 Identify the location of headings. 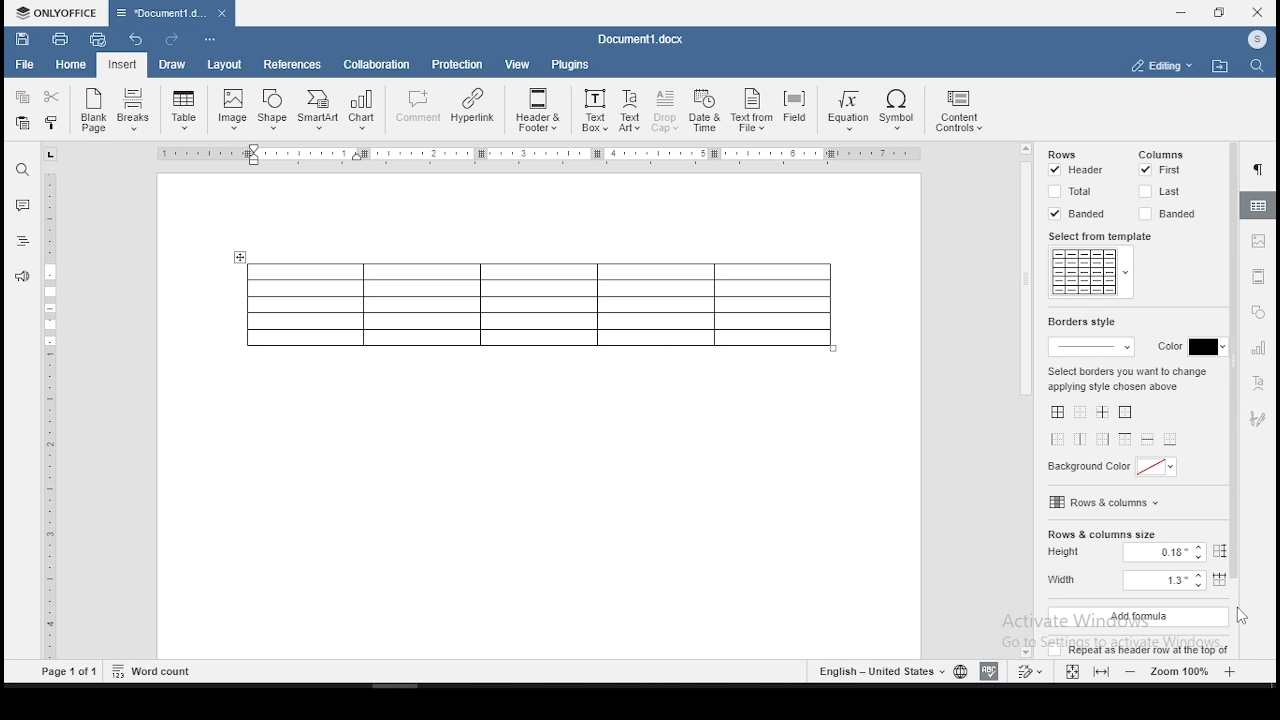
(23, 241).